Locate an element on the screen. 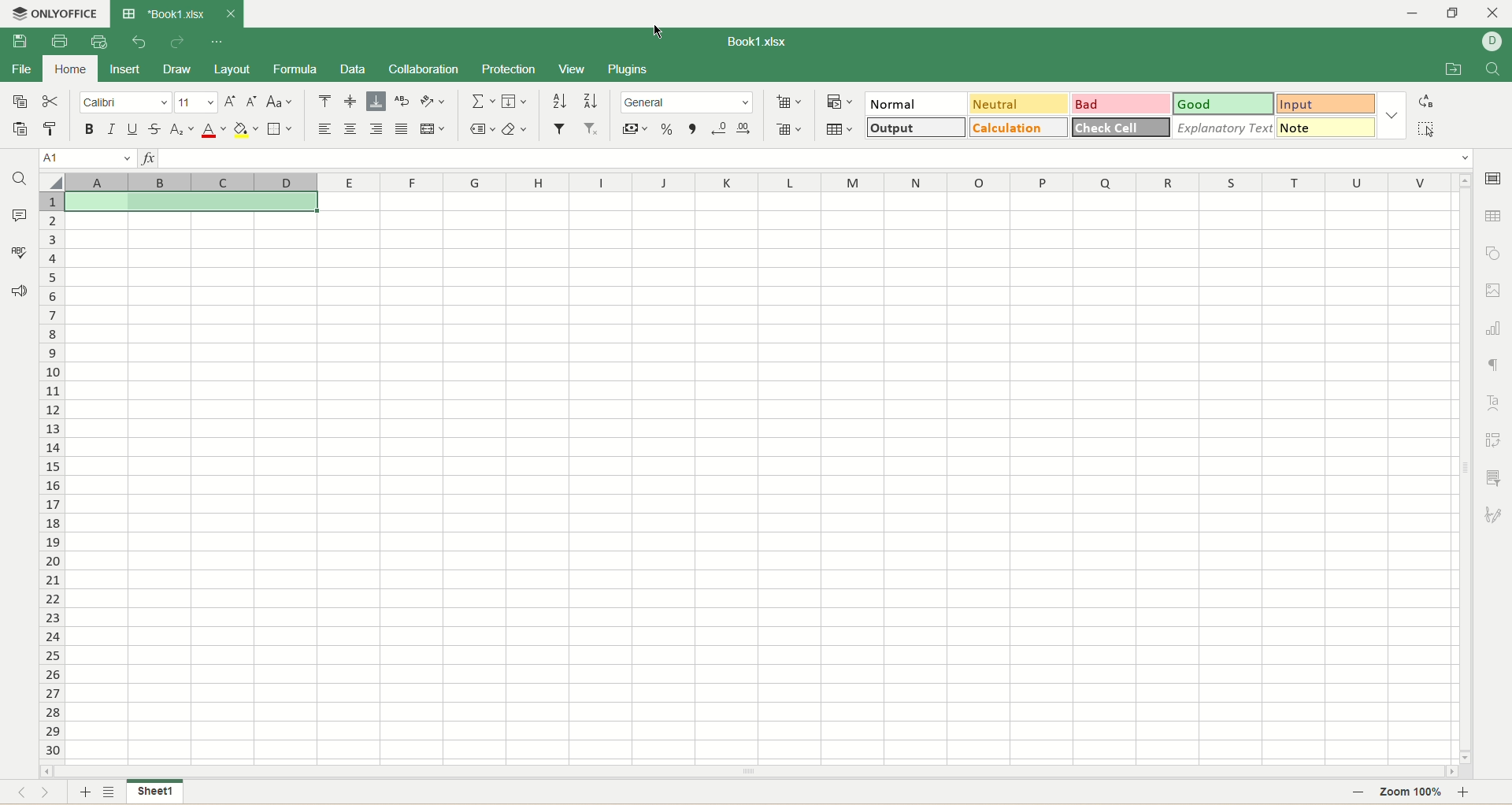 The width and height of the screenshot is (1512, 805). sort descending is located at coordinates (589, 102).